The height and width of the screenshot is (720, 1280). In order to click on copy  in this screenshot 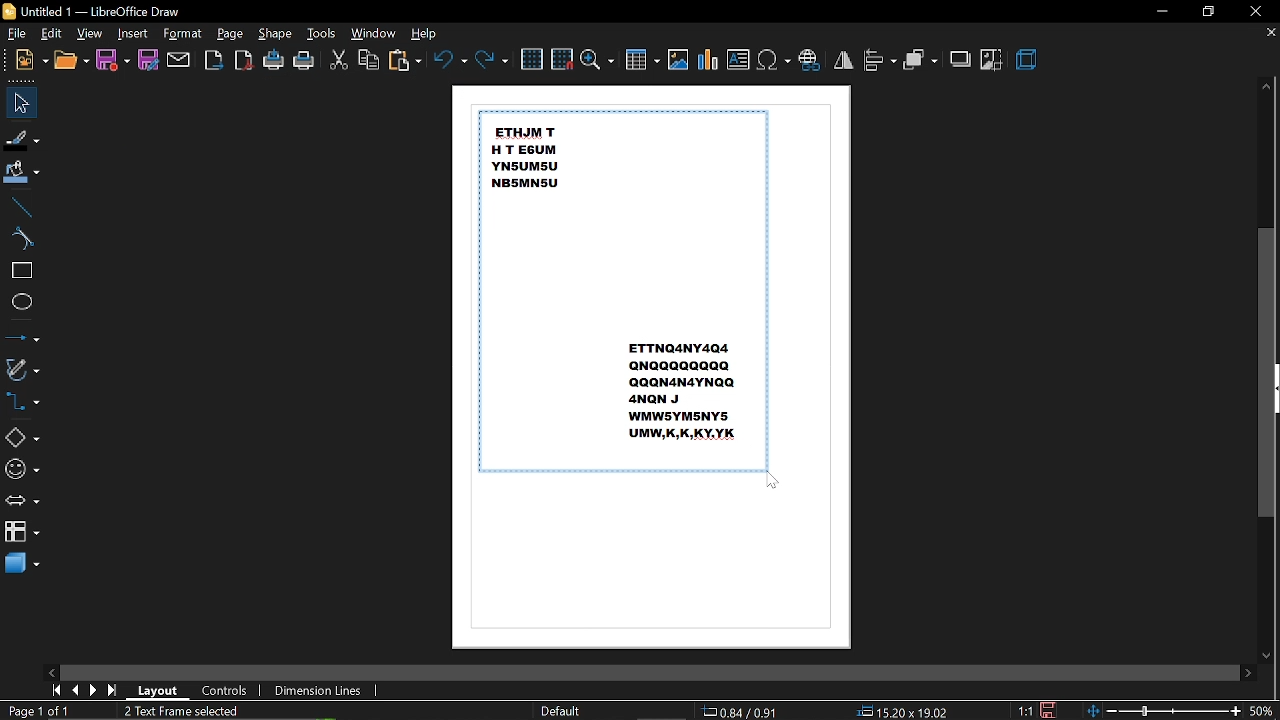, I will do `click(369, 59)`.